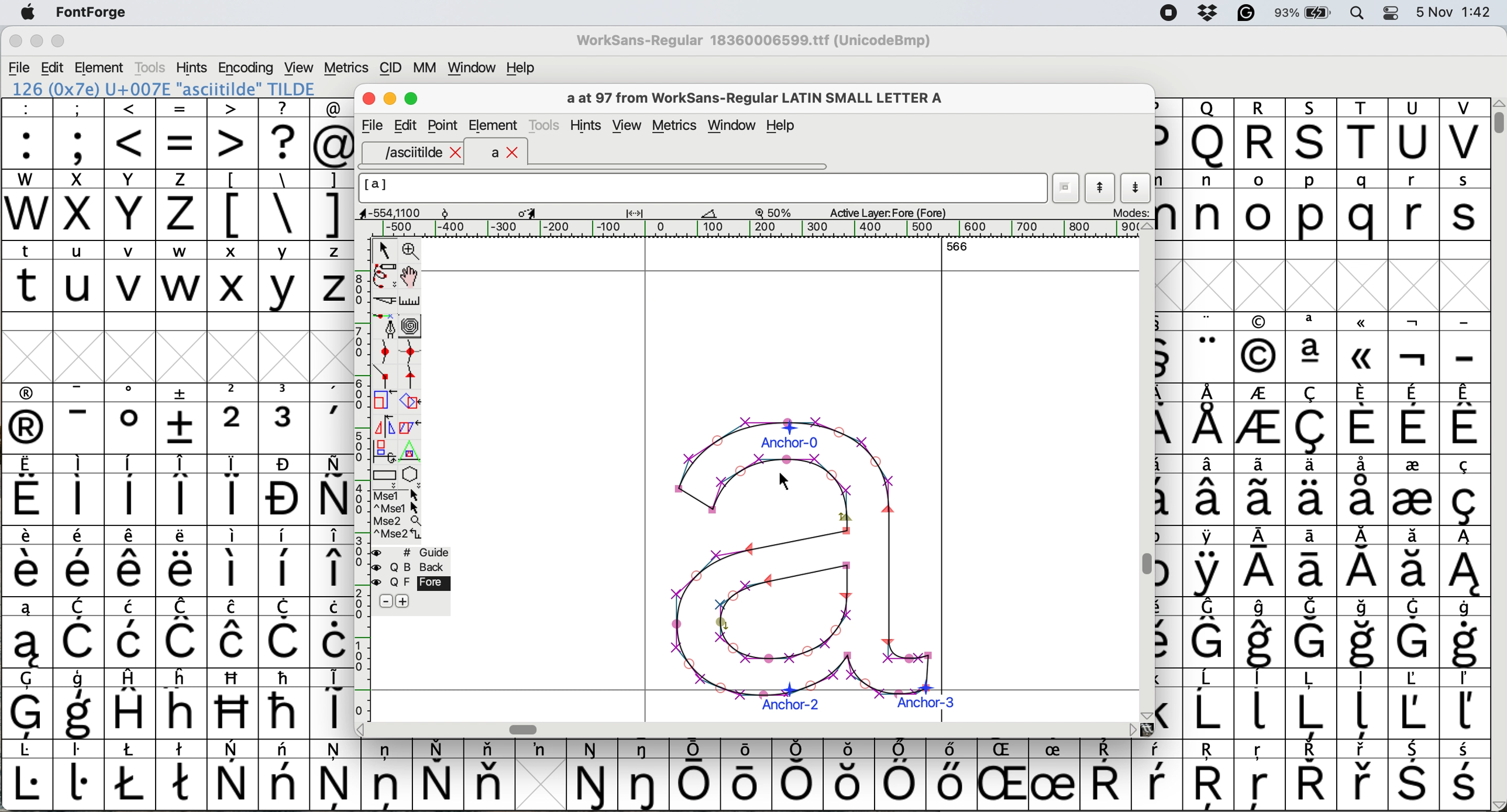  I want to click on rotate the selection, so click(416, 402).